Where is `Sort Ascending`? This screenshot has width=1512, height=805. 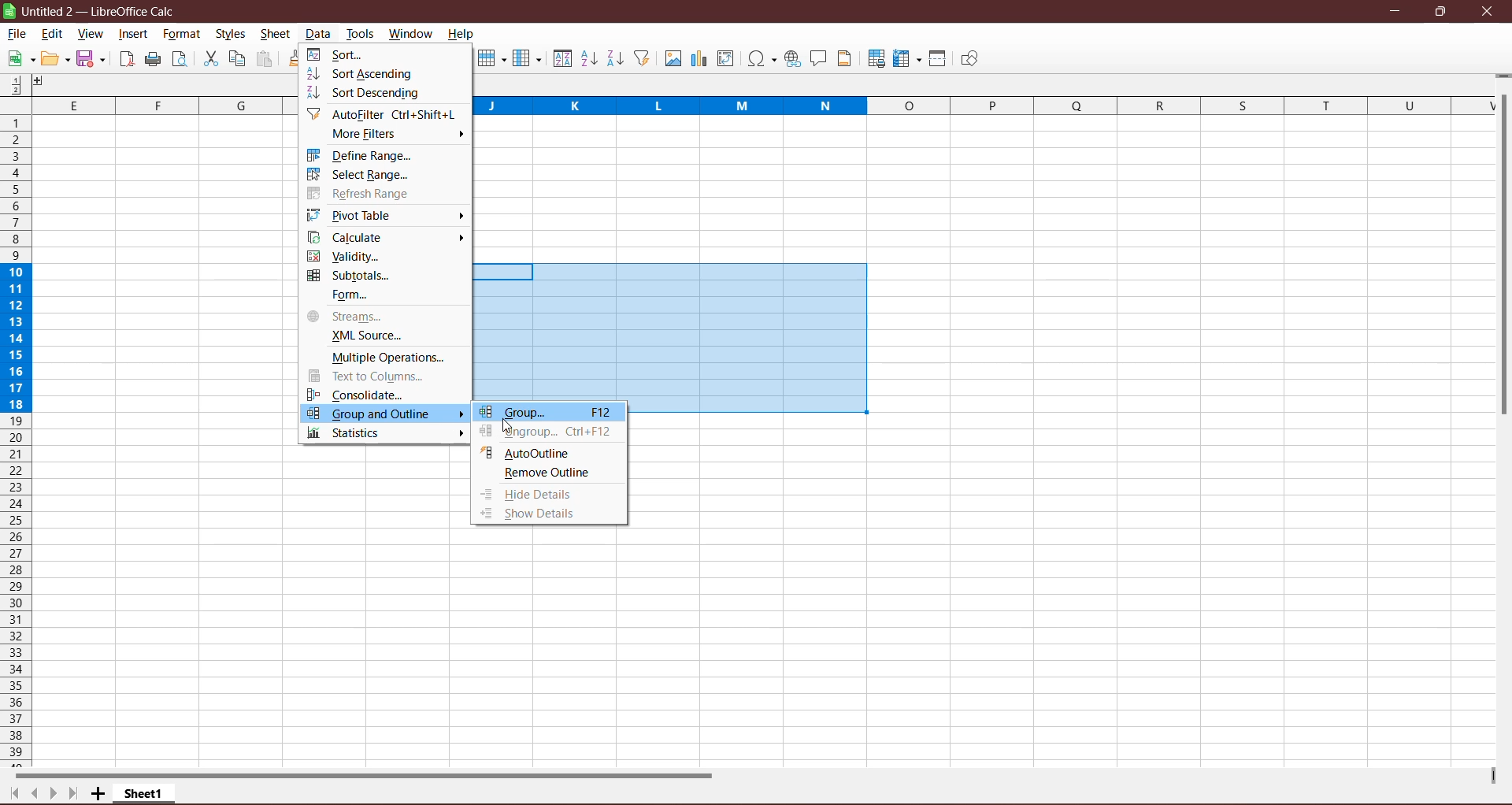
Sort Ascending is located at coordinates (365, 73).